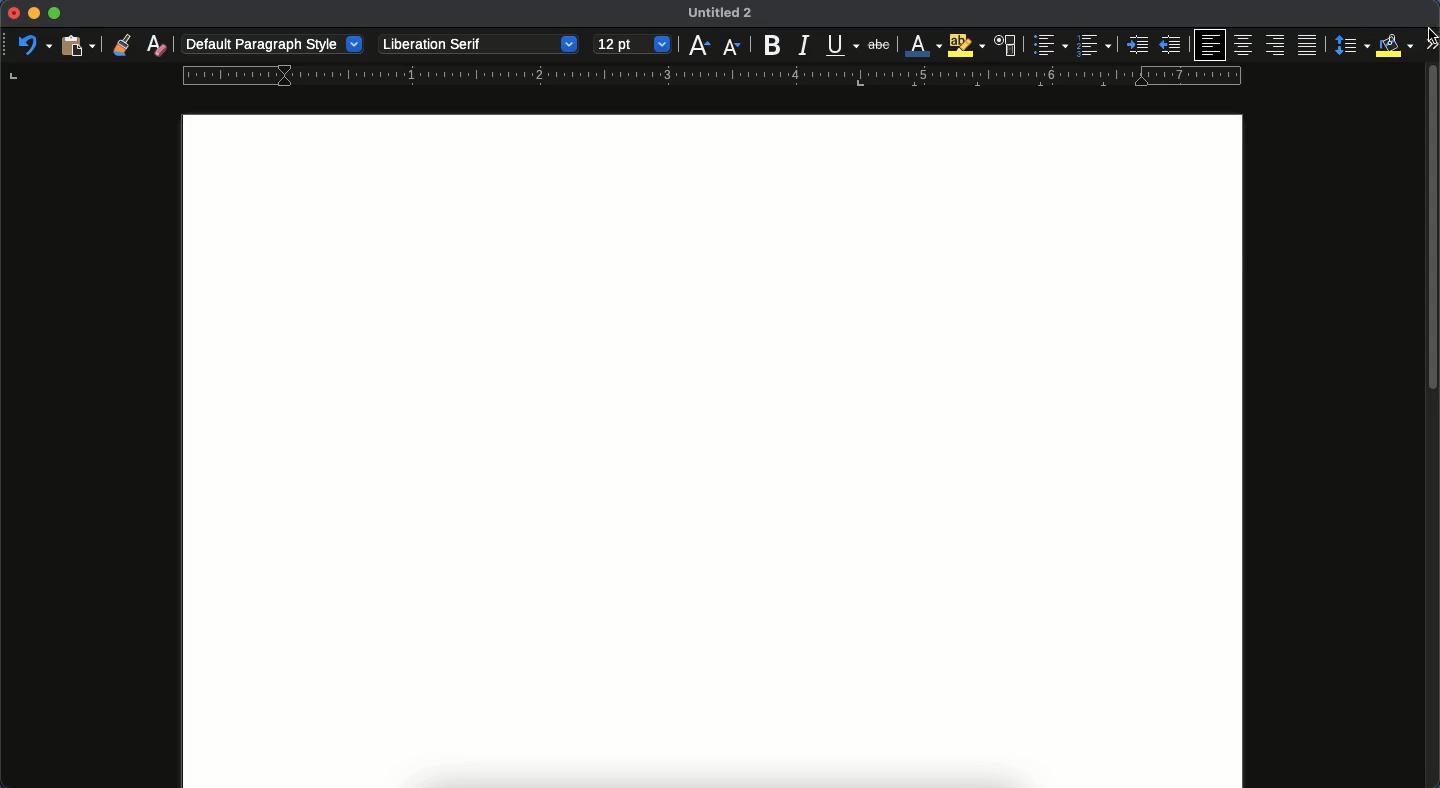 The image size is (1440, 788). I want to click on right align, so click(1276, 46).